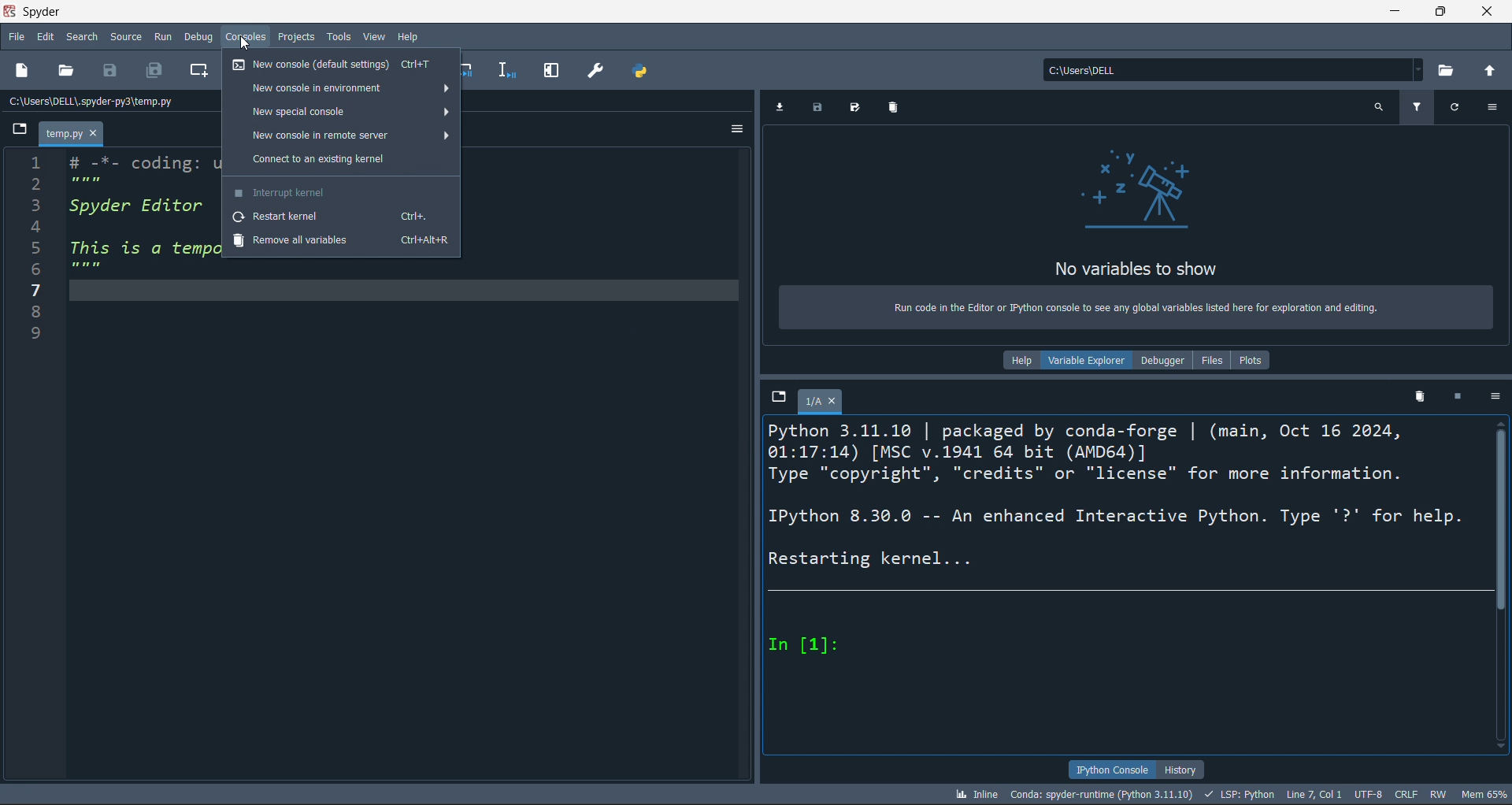  What do you see at coordinates (163, 38) in the screenshot?
I see `run` at bounding box center [163, 38].